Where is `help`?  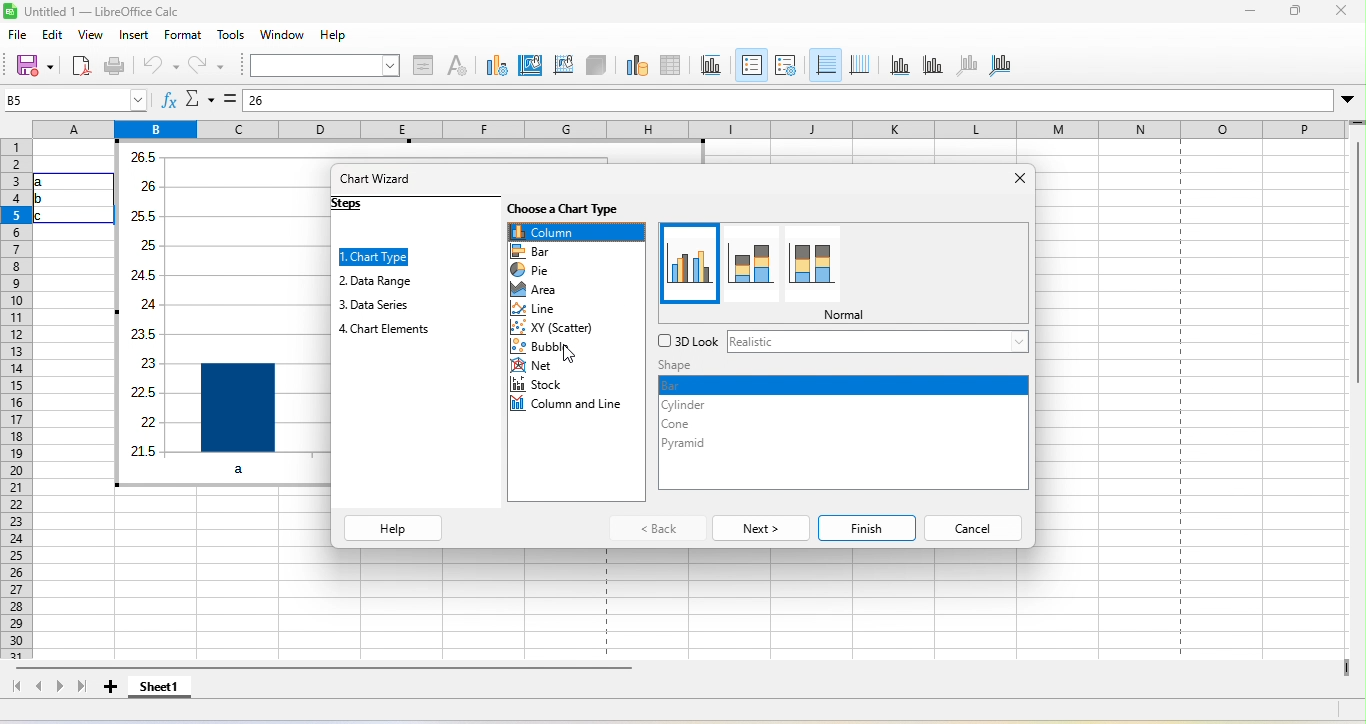
help is located at coordinates (394, 528).